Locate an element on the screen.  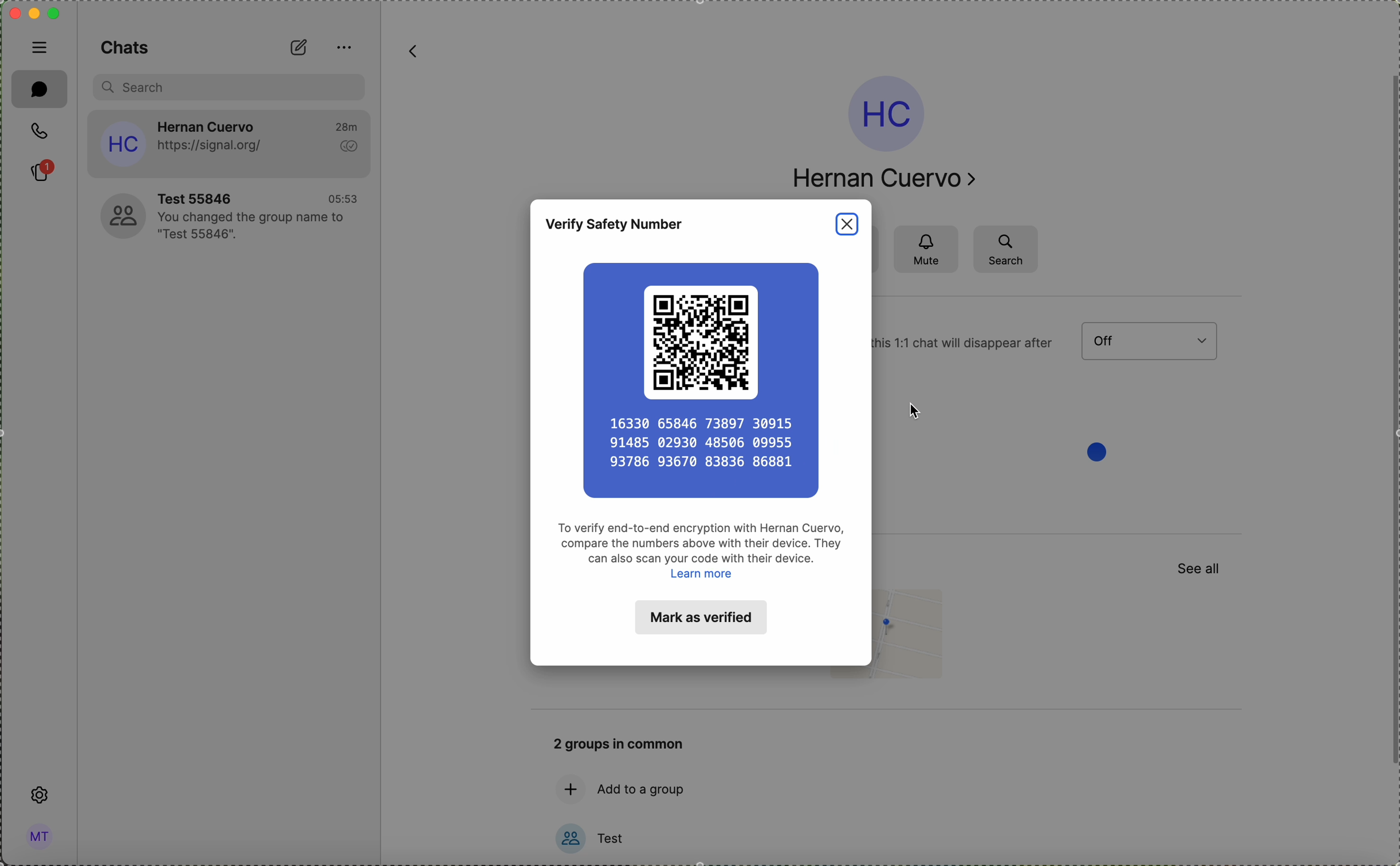
Hernan Cuervo > is located at coordinates (887, 178).